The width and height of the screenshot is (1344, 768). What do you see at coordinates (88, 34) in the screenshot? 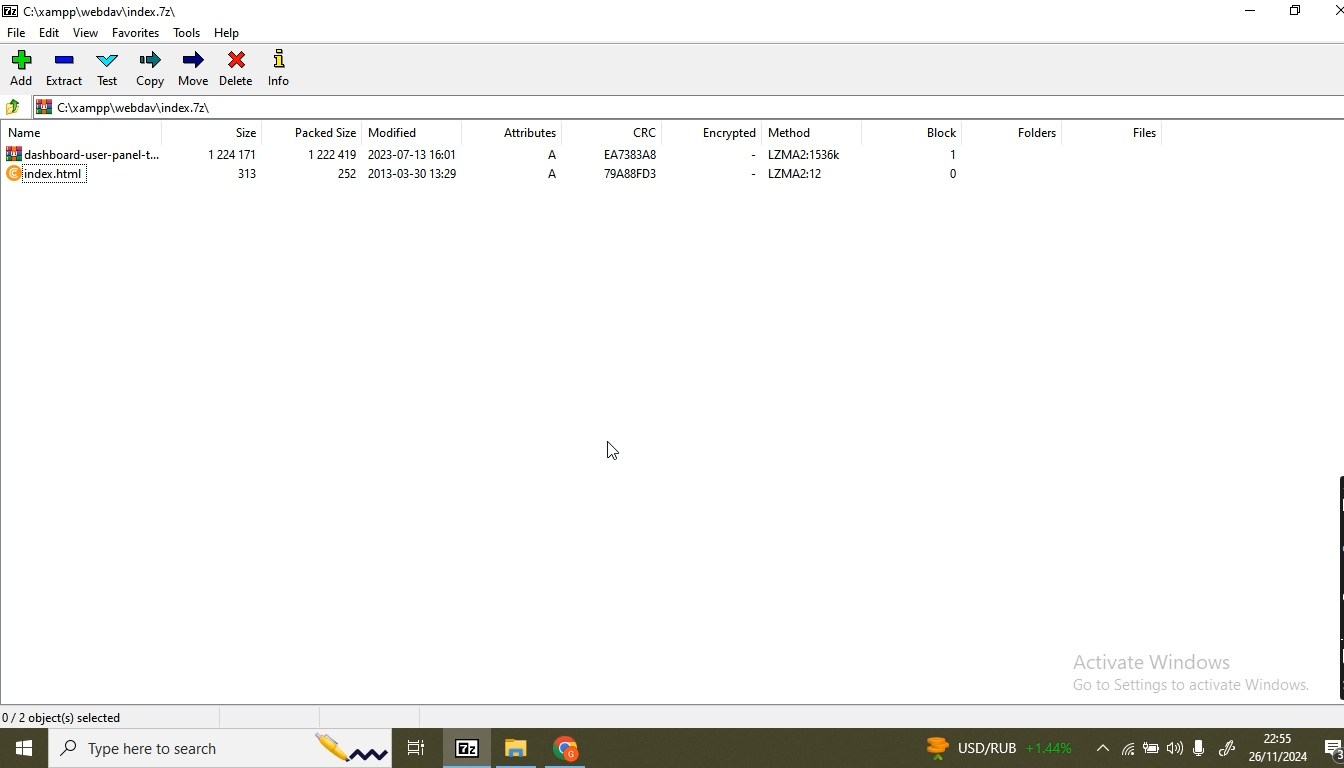
I see `view` at bounding box center [88, 34].